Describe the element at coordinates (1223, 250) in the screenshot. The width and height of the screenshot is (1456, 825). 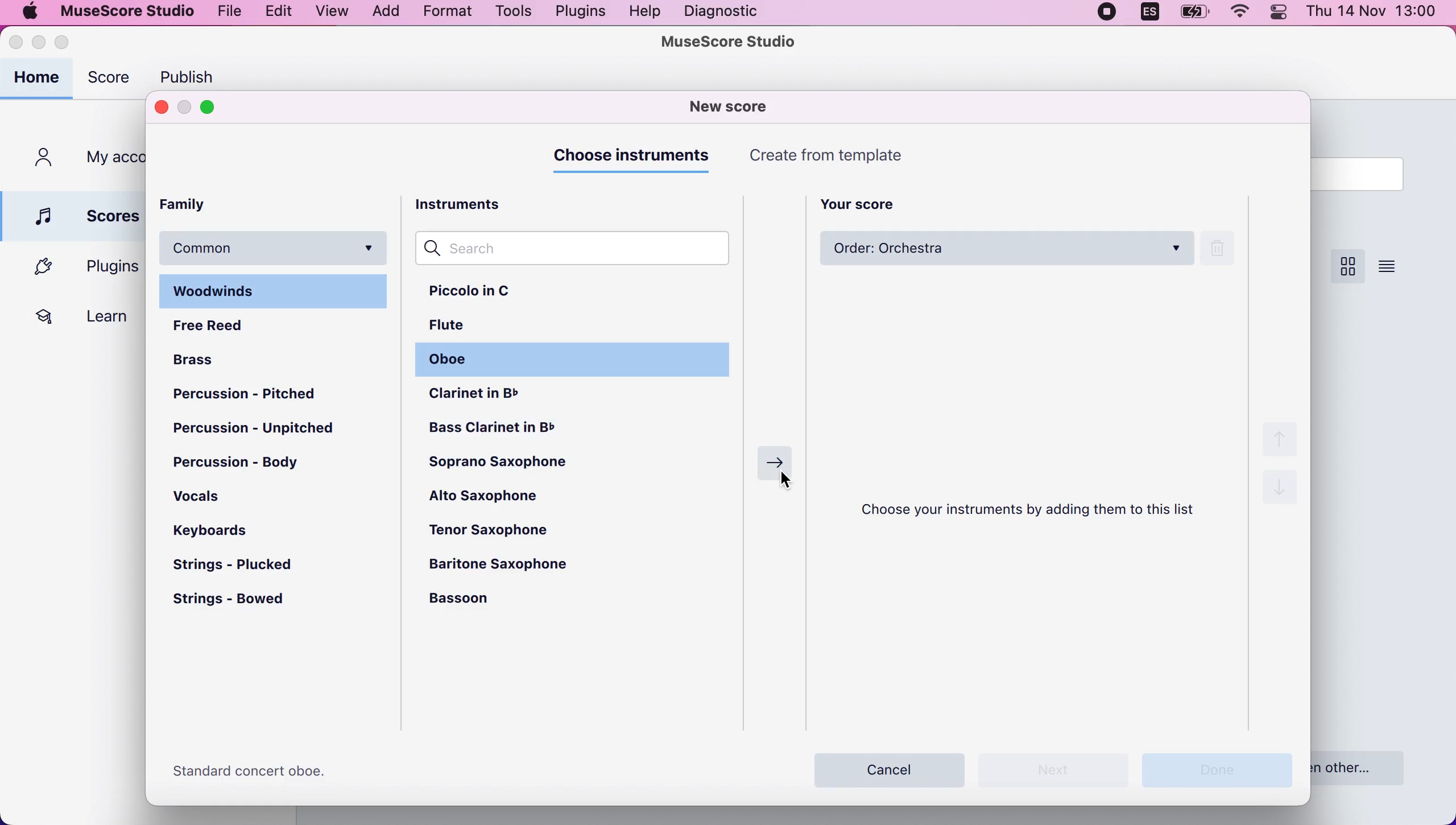
I see `remove` at that location.